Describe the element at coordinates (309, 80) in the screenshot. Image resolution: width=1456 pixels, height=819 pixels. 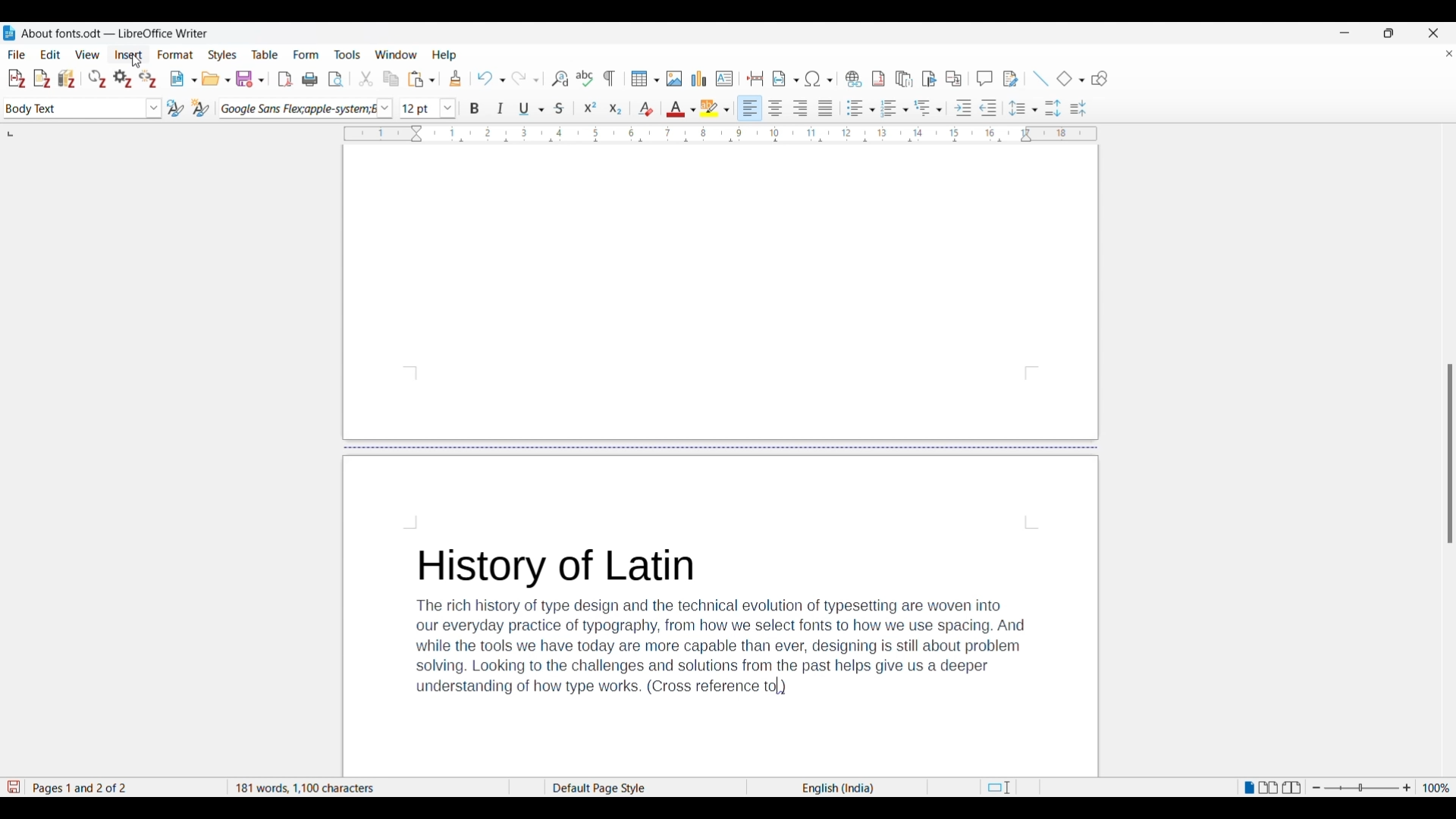
I see `Print` at that location.